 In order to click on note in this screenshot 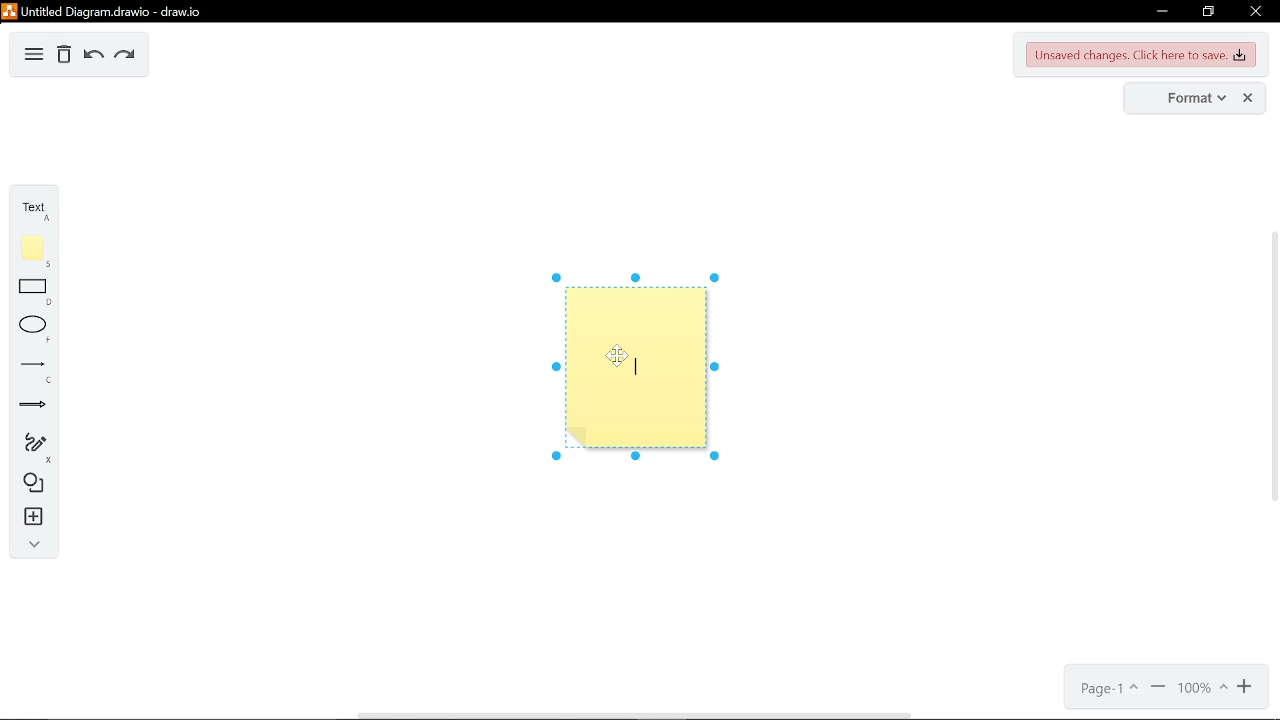, I will do `click(34, 251)`.